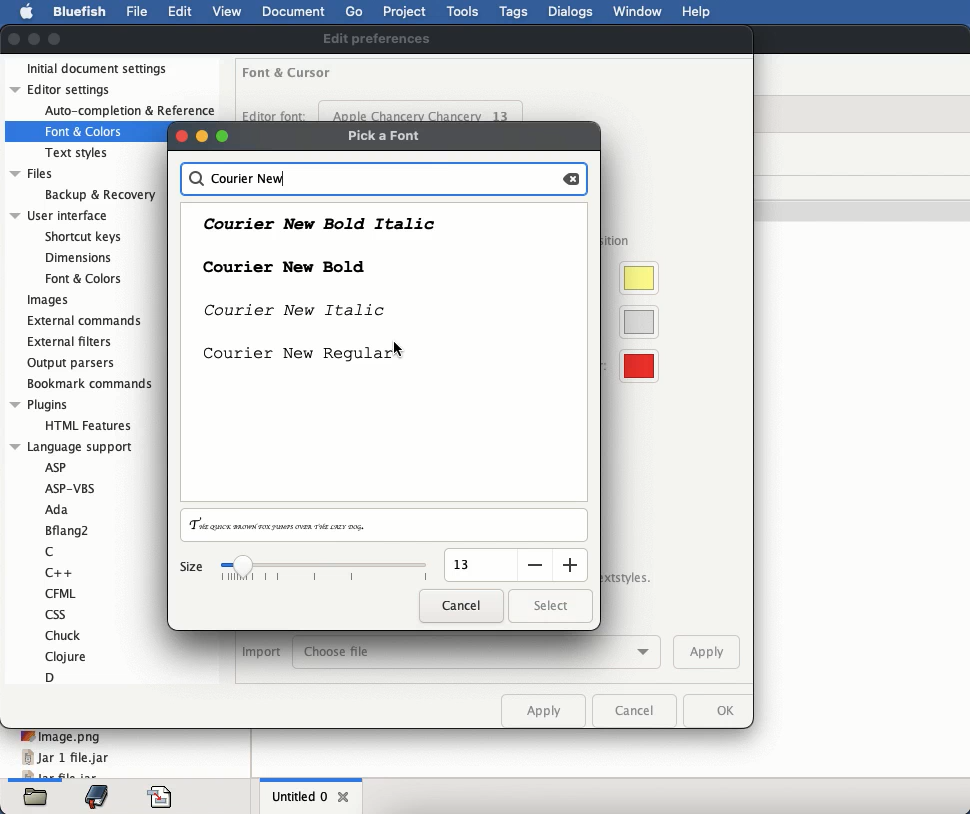 This screenshot has width=970, height=814. Describe the element at coordinates (230, 11) in the screenshot. I see `view` at that location.